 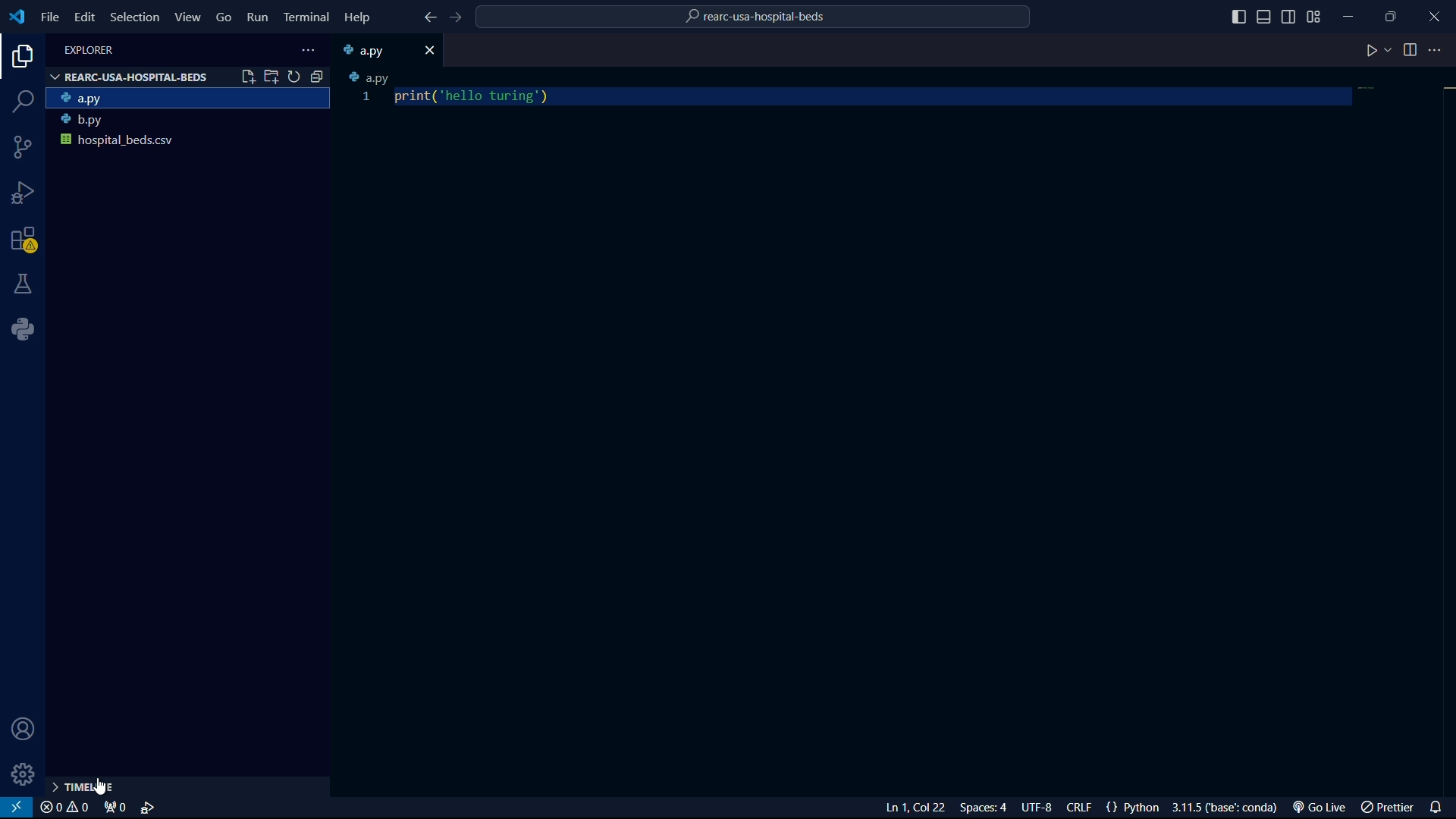 I want to click on new file, so click(x=248, y=76).